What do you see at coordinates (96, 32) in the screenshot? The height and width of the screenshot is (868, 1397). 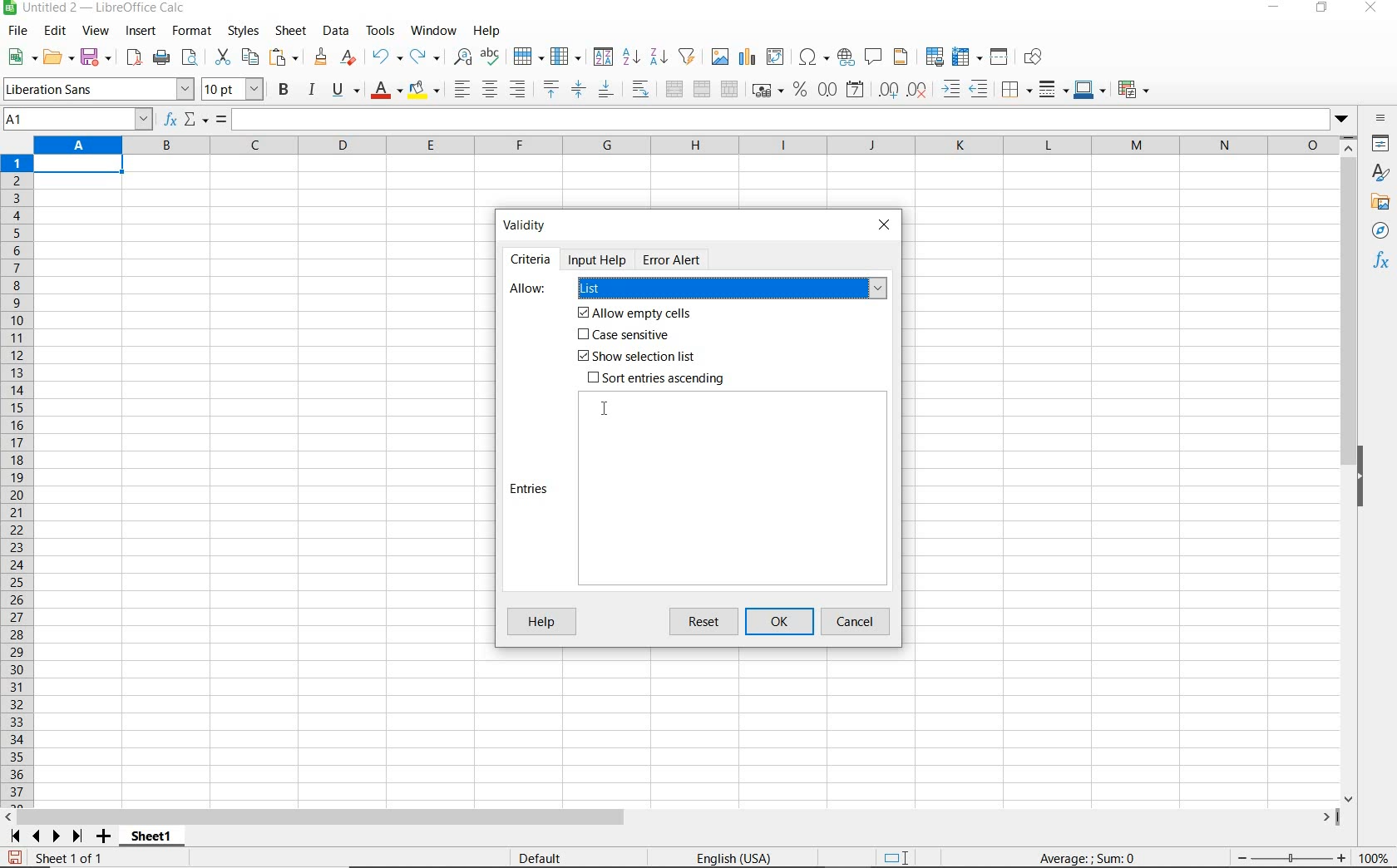 I see `view` at bounding box center [96, 32].